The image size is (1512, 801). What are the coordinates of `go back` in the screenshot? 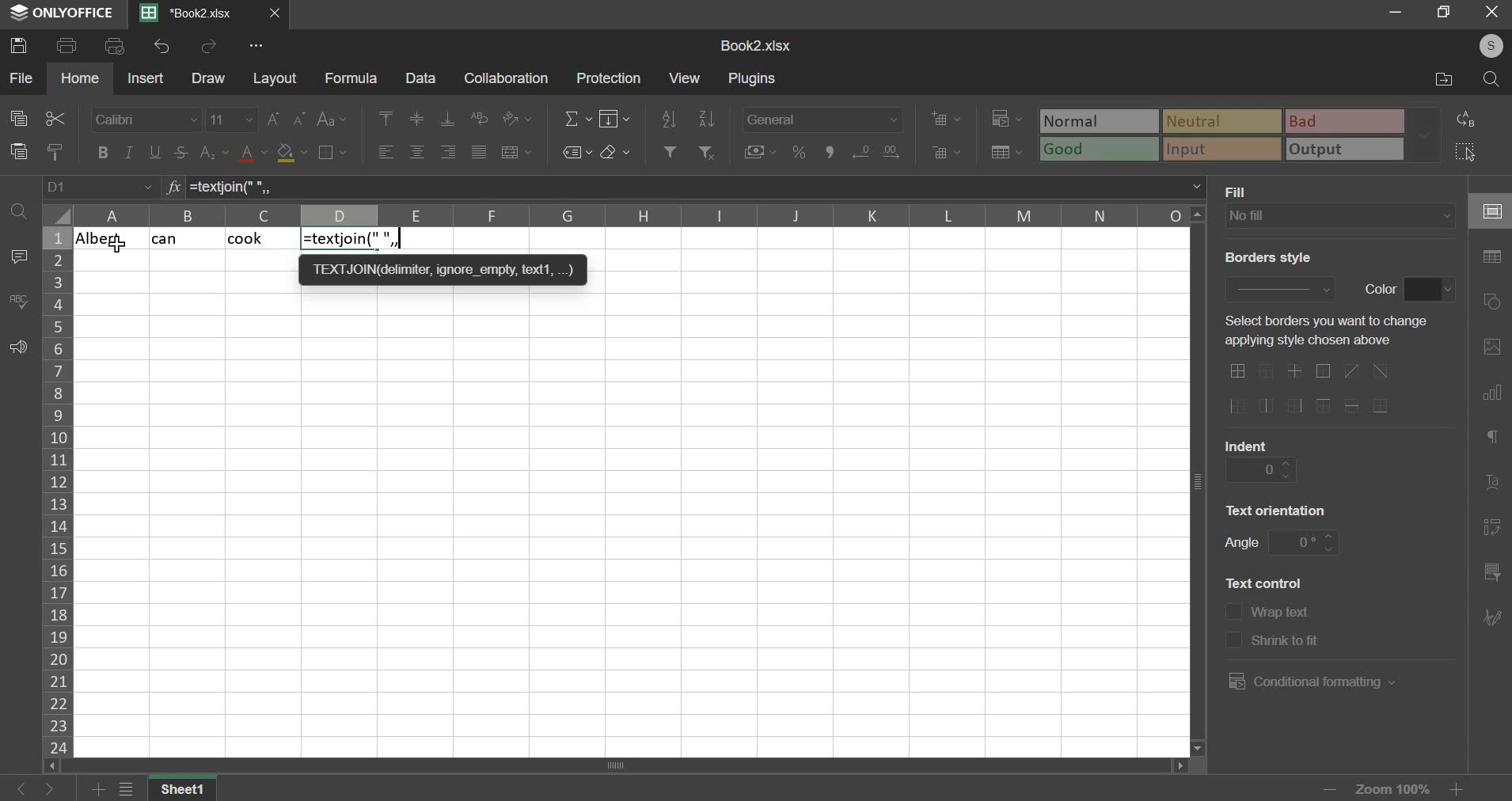 It's located at (20, 788).